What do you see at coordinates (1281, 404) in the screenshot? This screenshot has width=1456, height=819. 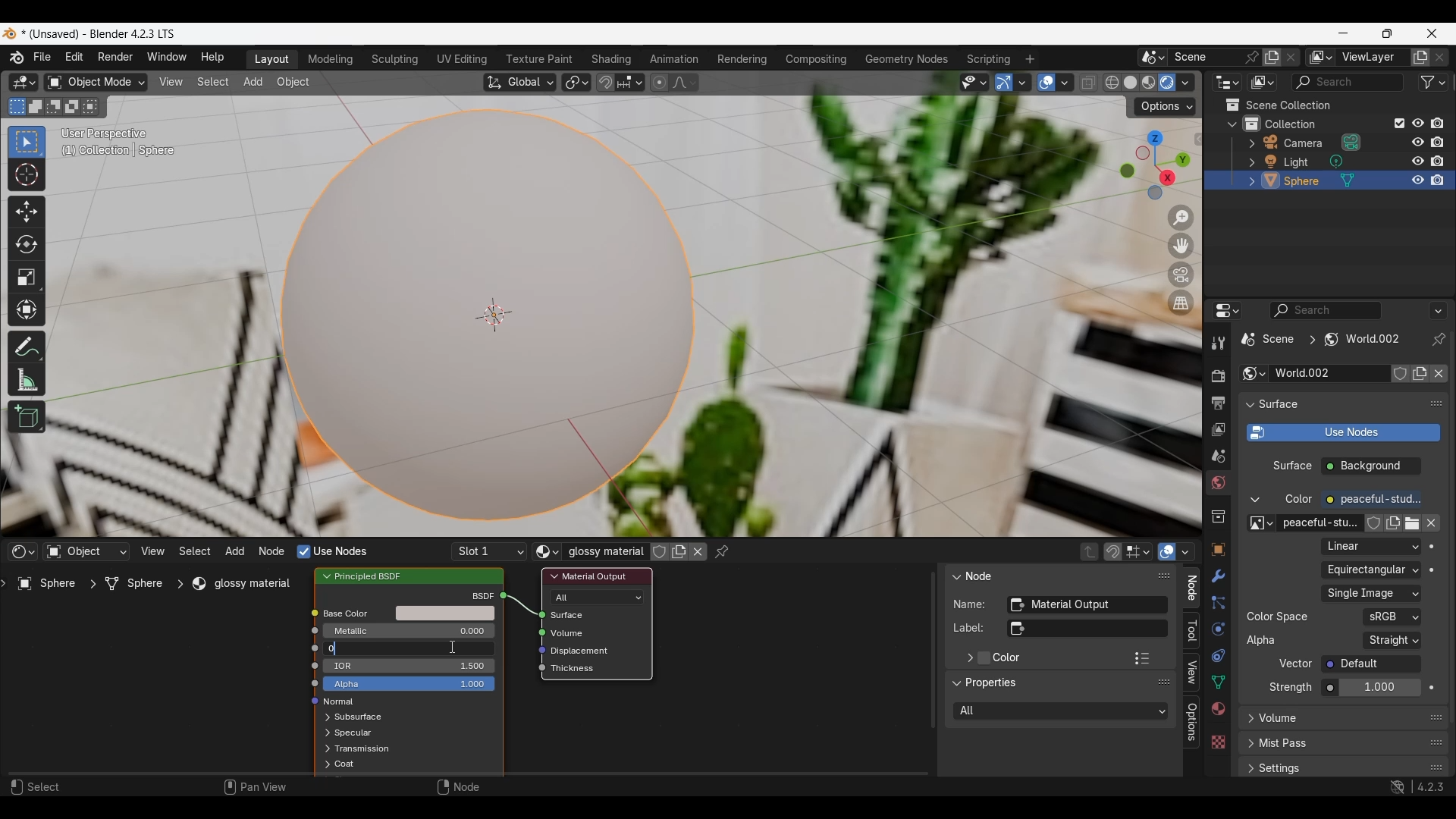 I see `surface` at bounding box center [1281, 404].